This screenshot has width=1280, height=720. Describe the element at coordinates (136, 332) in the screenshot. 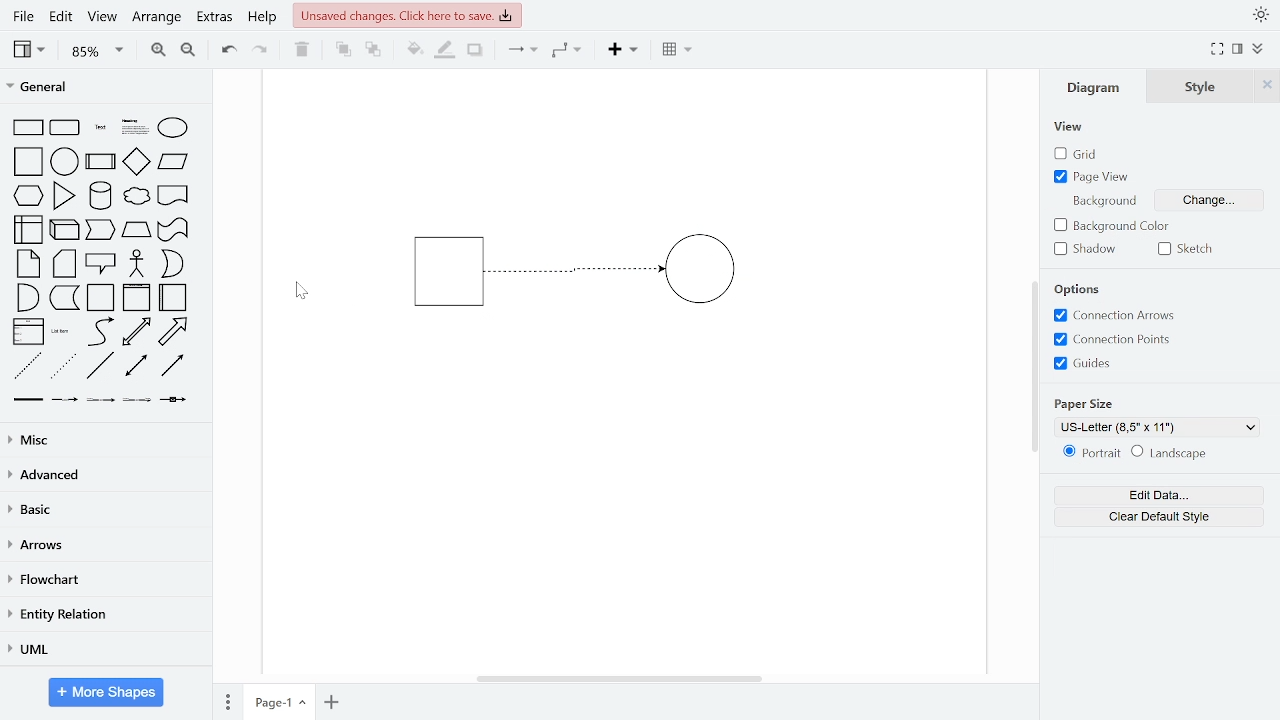

I see `bidirectional arrow` at that location.